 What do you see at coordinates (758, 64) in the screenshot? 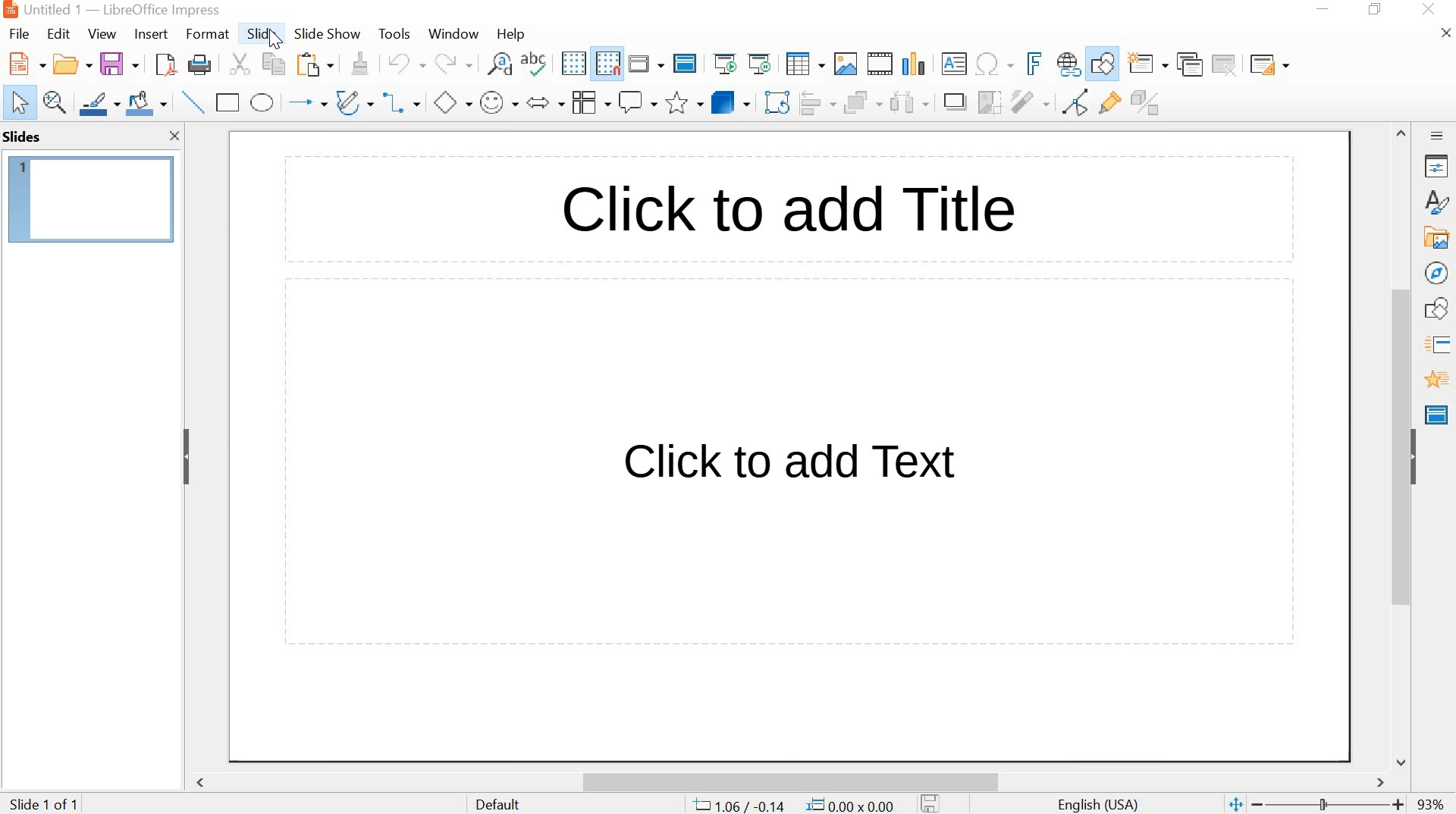
I see `Start from current slide` at bounding box center [758, 64].